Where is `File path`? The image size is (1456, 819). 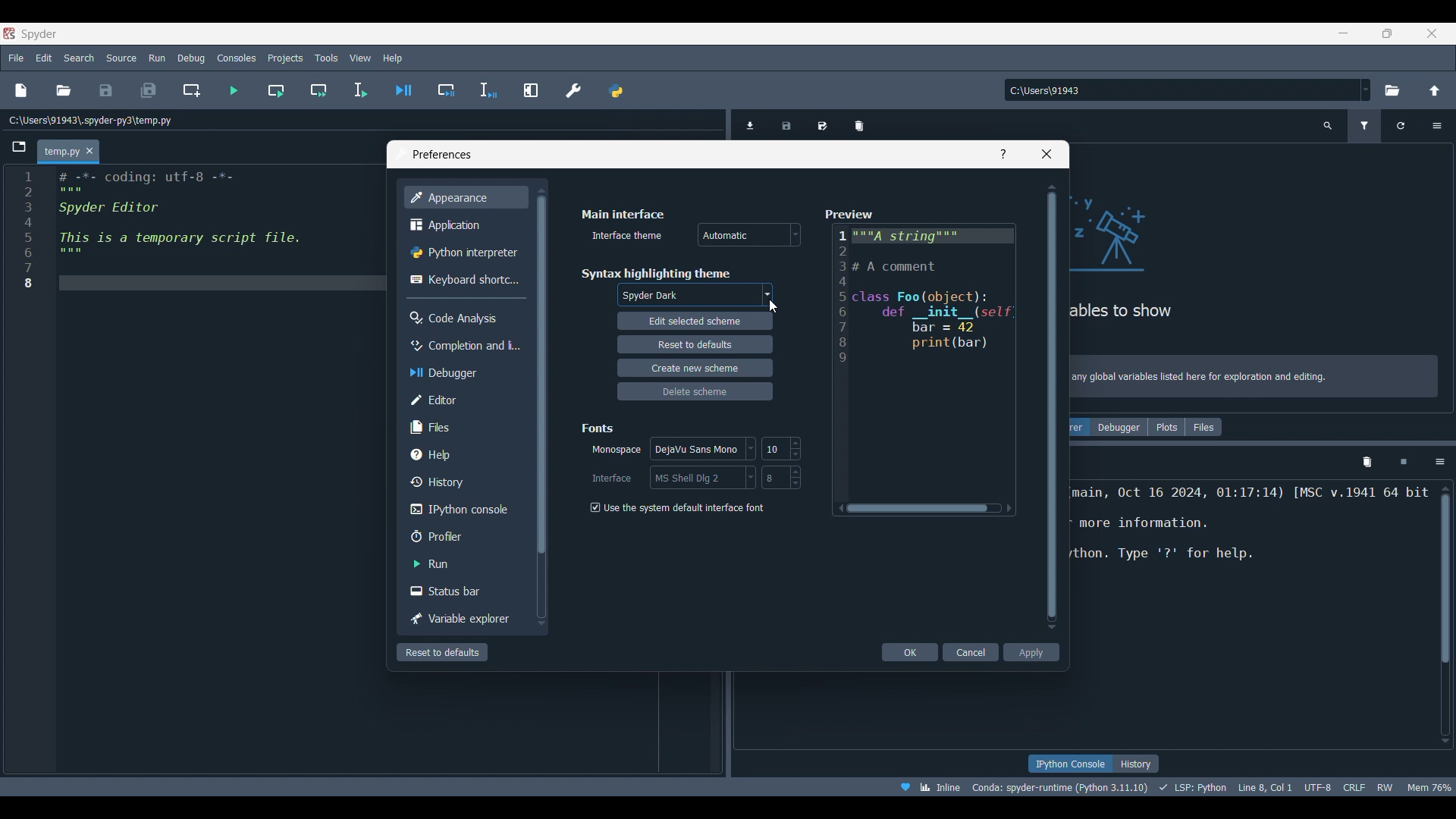 File path is located at coordinates (91, 120).